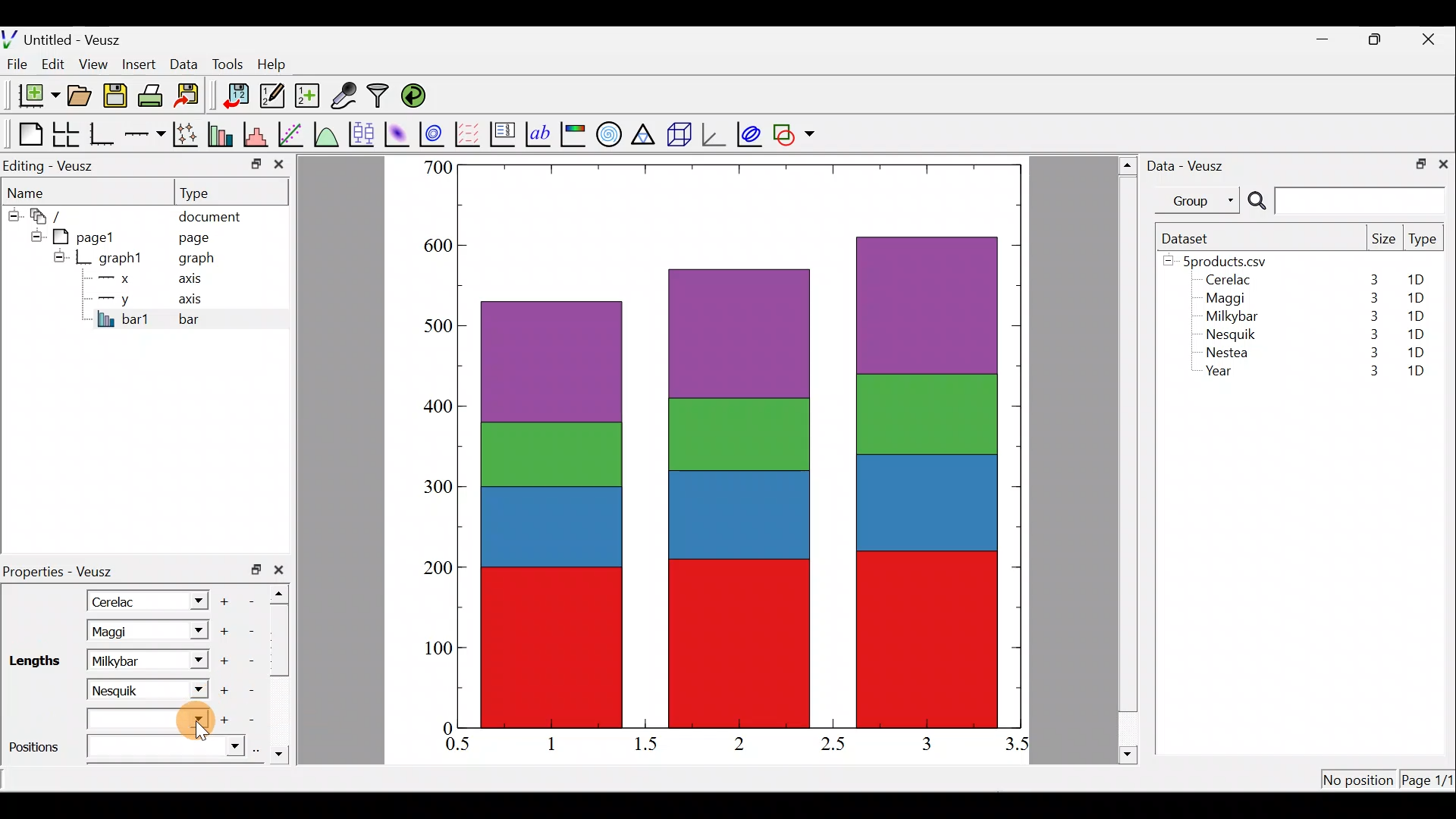  What do you see at coordinates (435, 133) in the screenshot?
I see `Plot a 2d dataset as contours` at bounding box center [435, 133].